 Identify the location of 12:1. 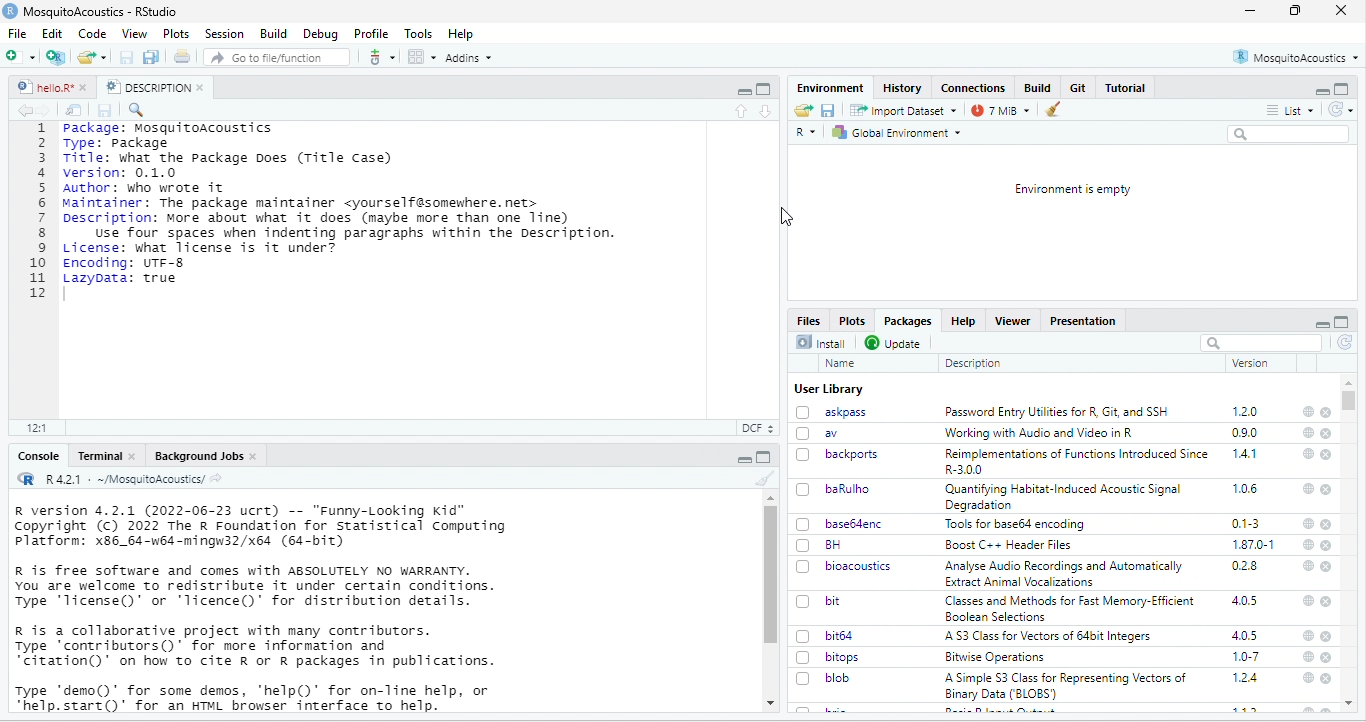
(40, 427).